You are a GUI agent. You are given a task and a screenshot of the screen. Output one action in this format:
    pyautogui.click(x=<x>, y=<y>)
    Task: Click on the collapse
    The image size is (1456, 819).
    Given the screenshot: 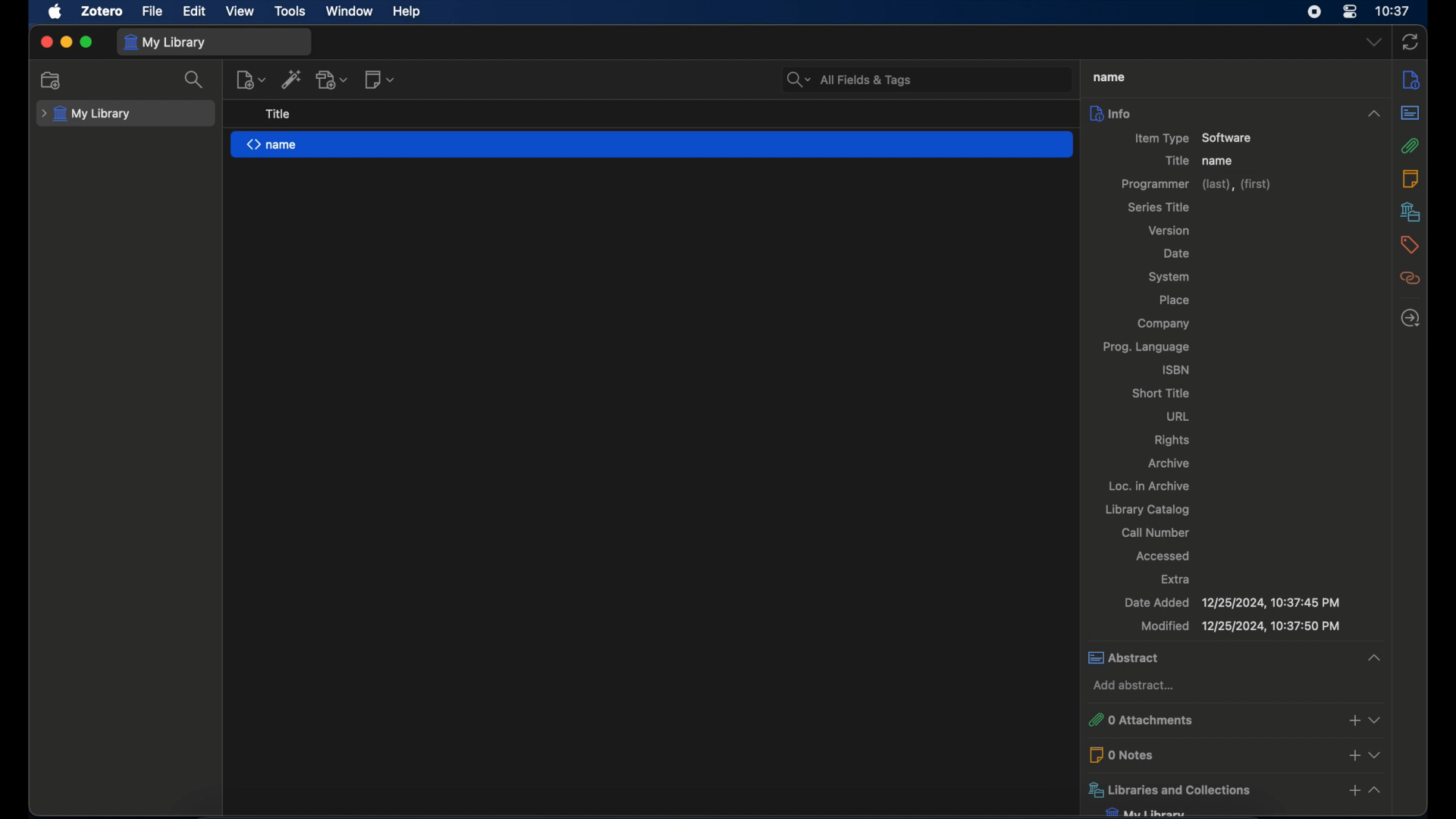 What is the action you would take?
    pyautogui.click(x=1377, y=792)
    